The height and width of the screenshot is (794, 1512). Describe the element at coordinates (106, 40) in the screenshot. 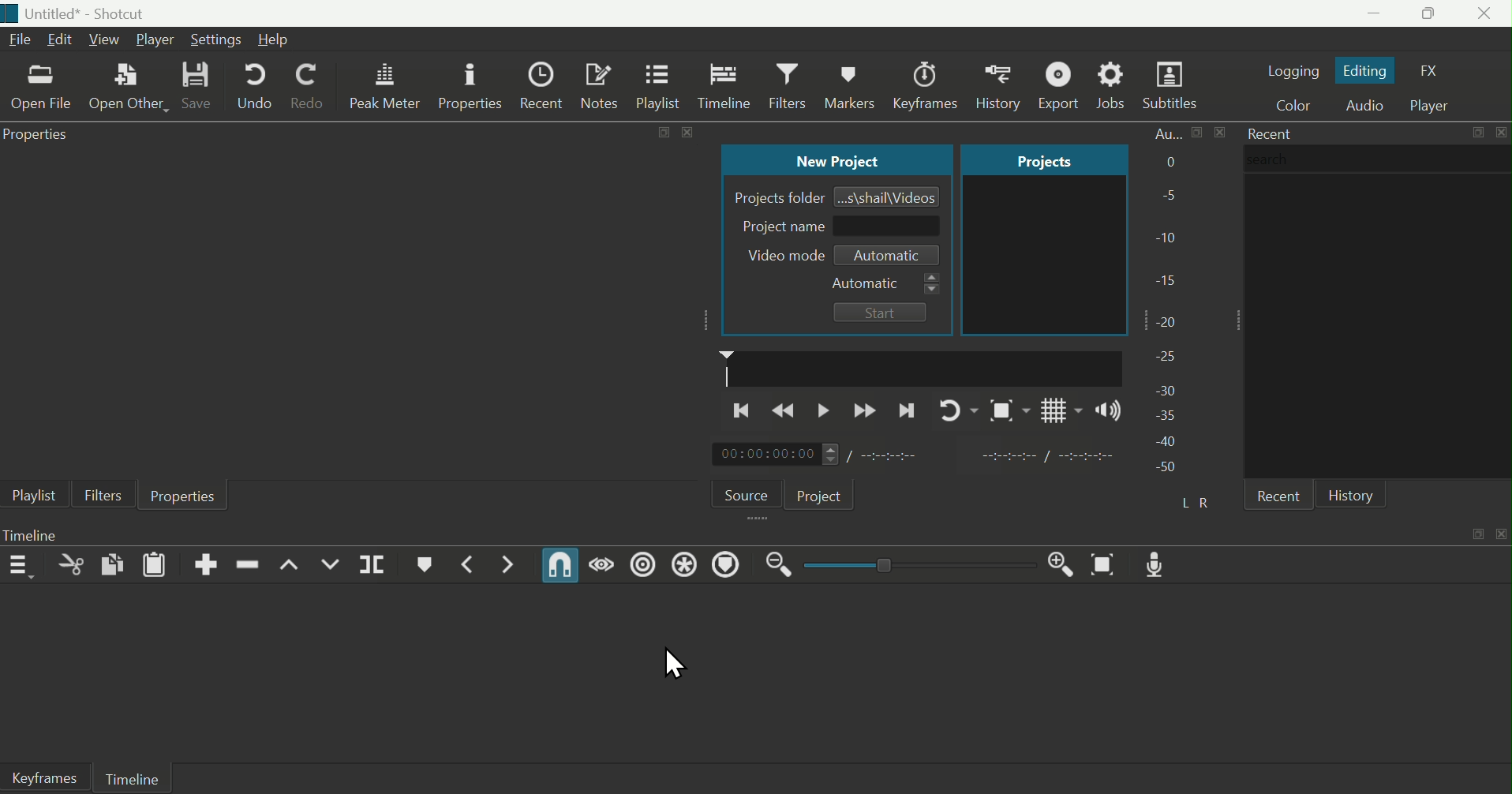

I see `View` at that location.